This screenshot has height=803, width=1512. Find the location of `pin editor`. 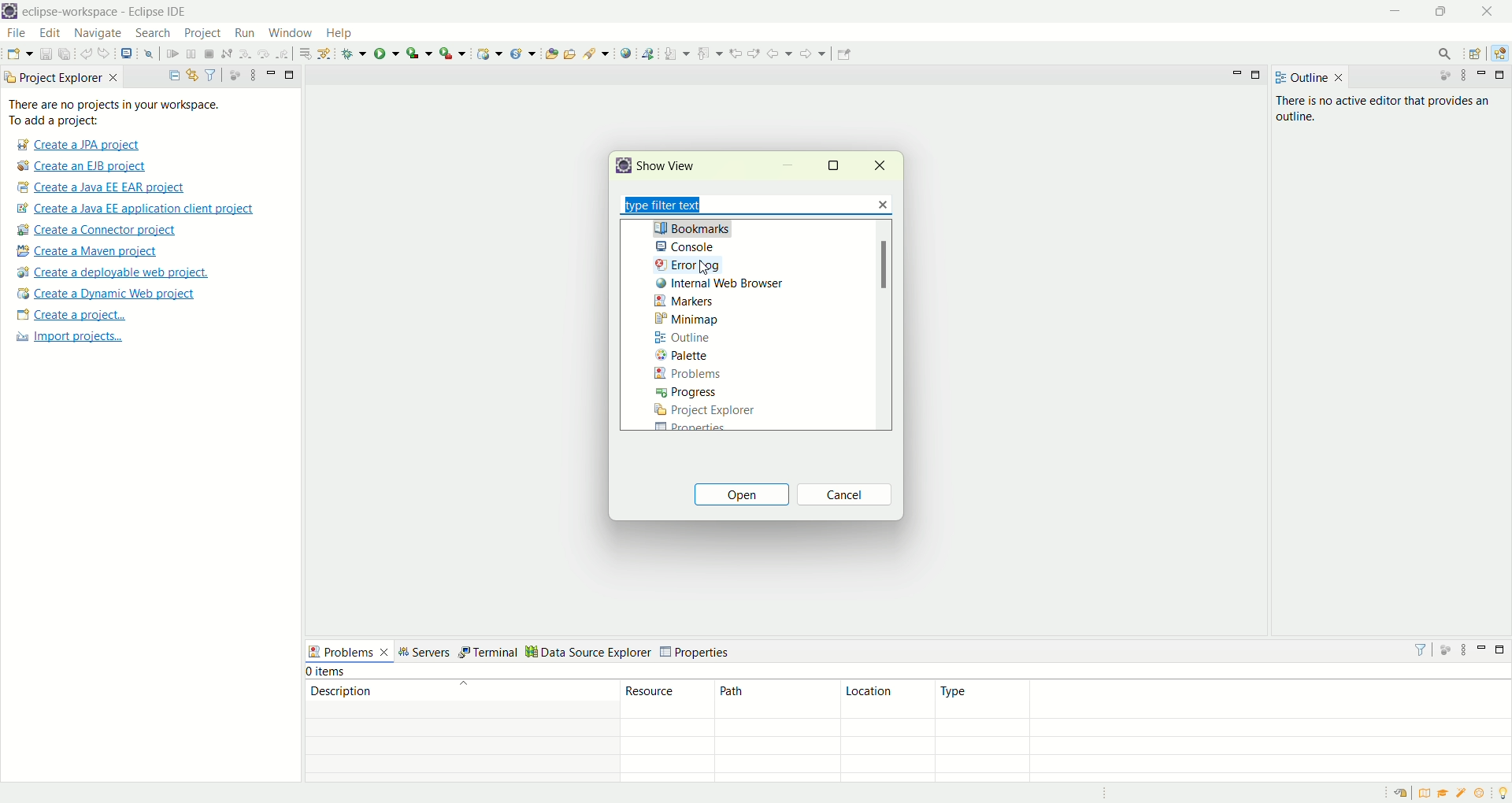

pin editor is located at coordinates (846, 55).